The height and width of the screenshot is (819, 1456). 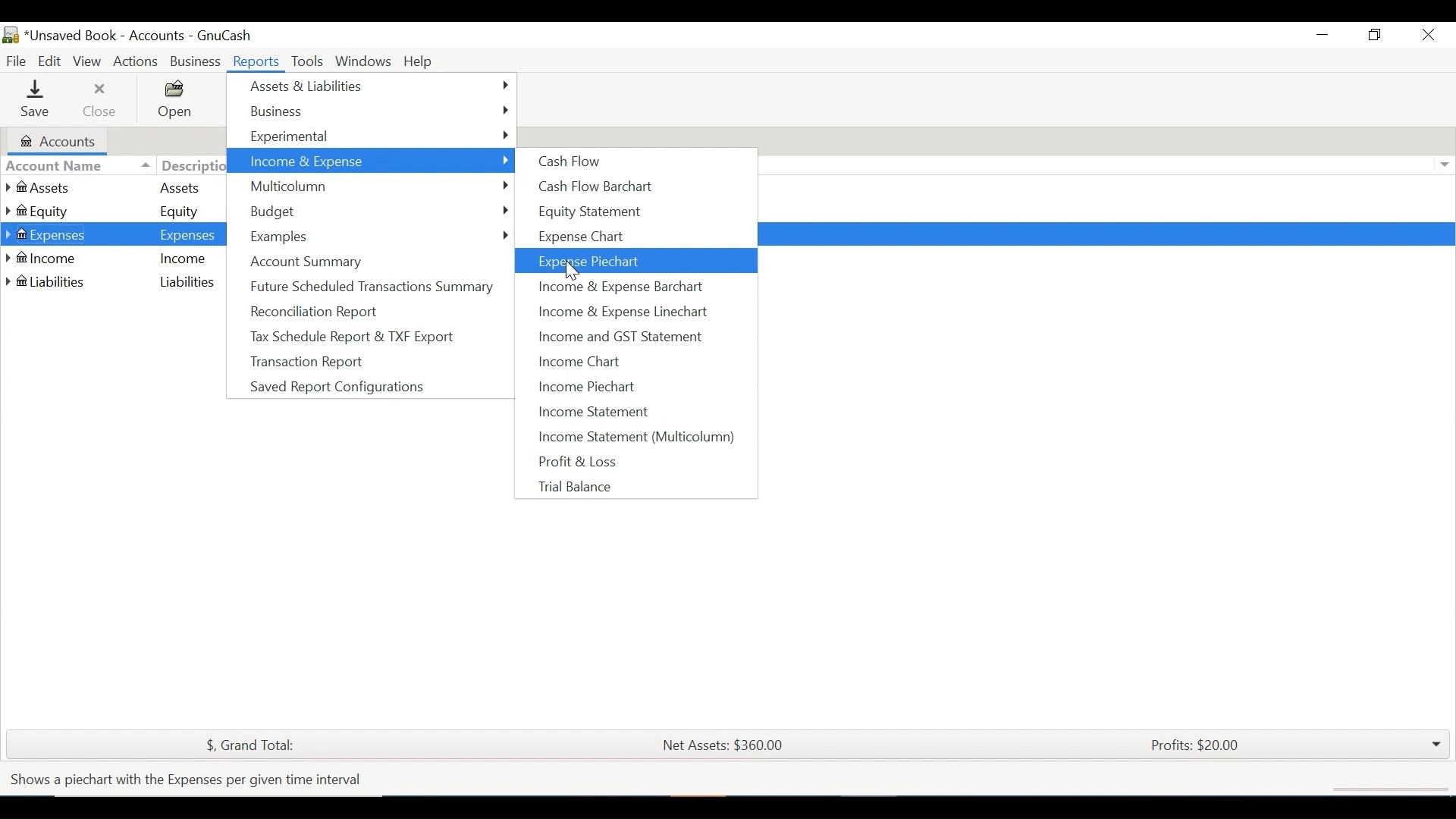 I want to click on Business, so click(x=372, y=111).